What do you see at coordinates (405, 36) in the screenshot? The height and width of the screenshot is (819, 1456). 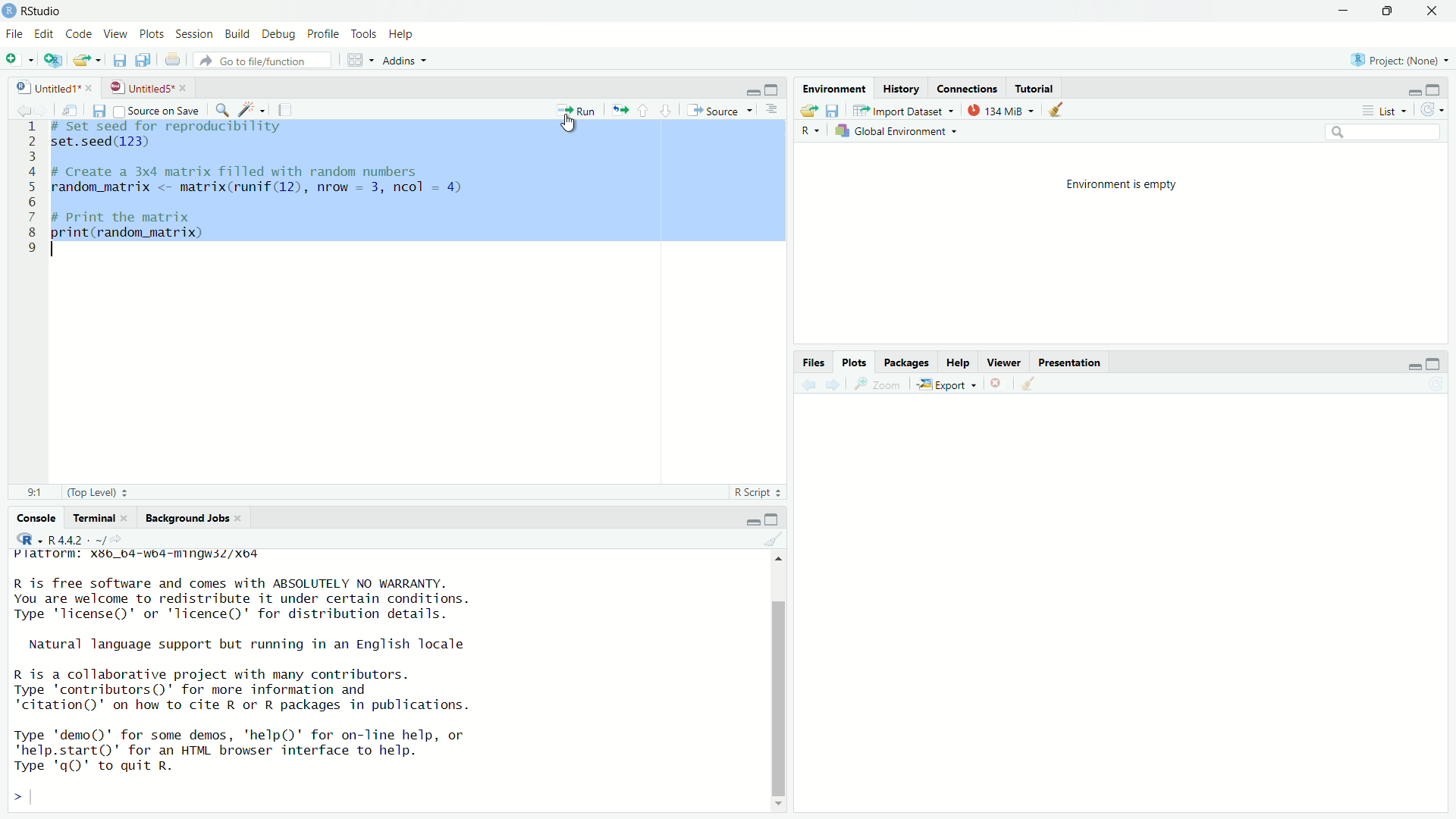 I see `Help` at bounding box center [405, 36].